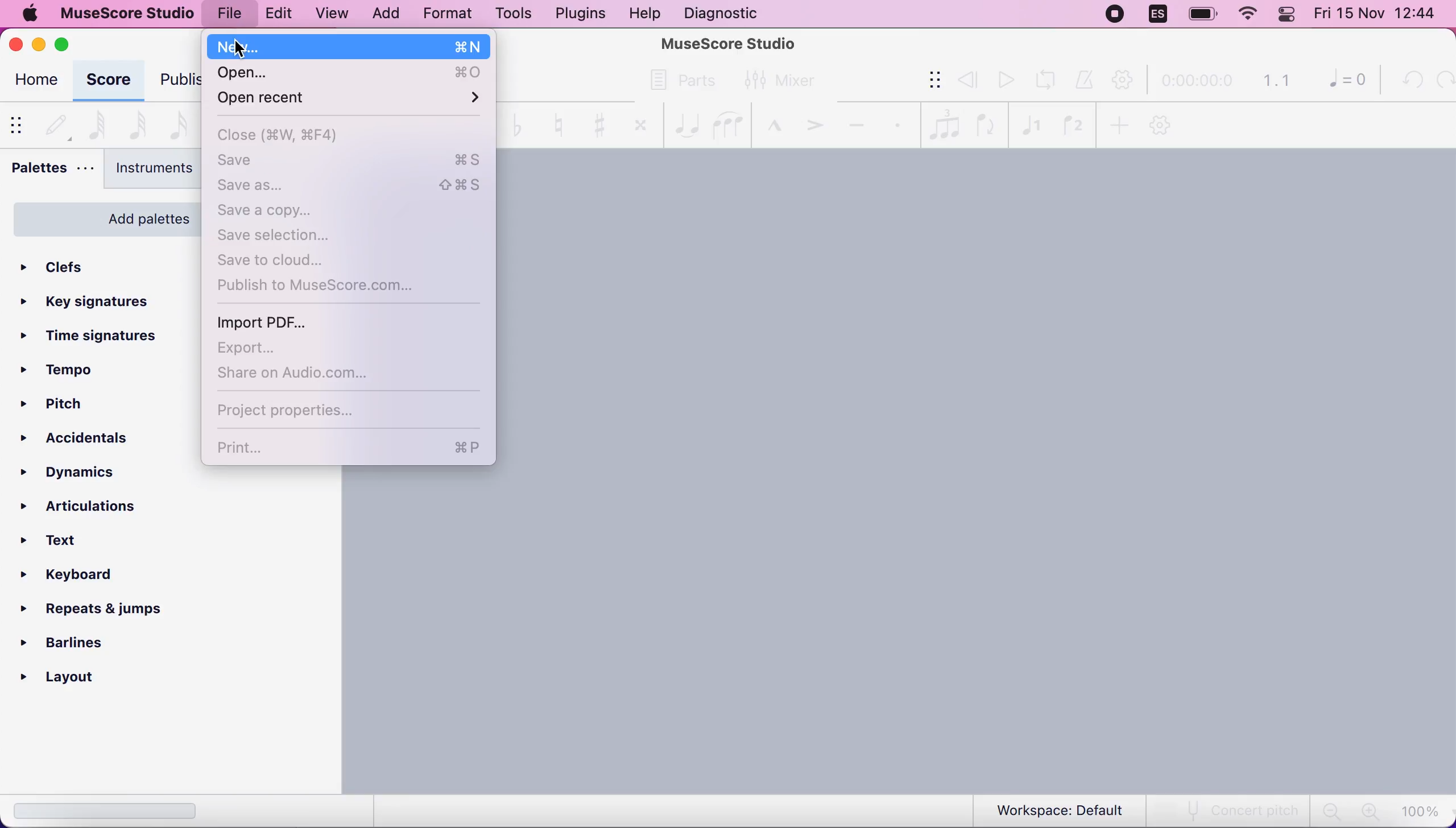 The height and width of the screenshot is (828, 1456). Describe the element at coordinates (97, 123) in the screenshot. I see `64th note` at that location.